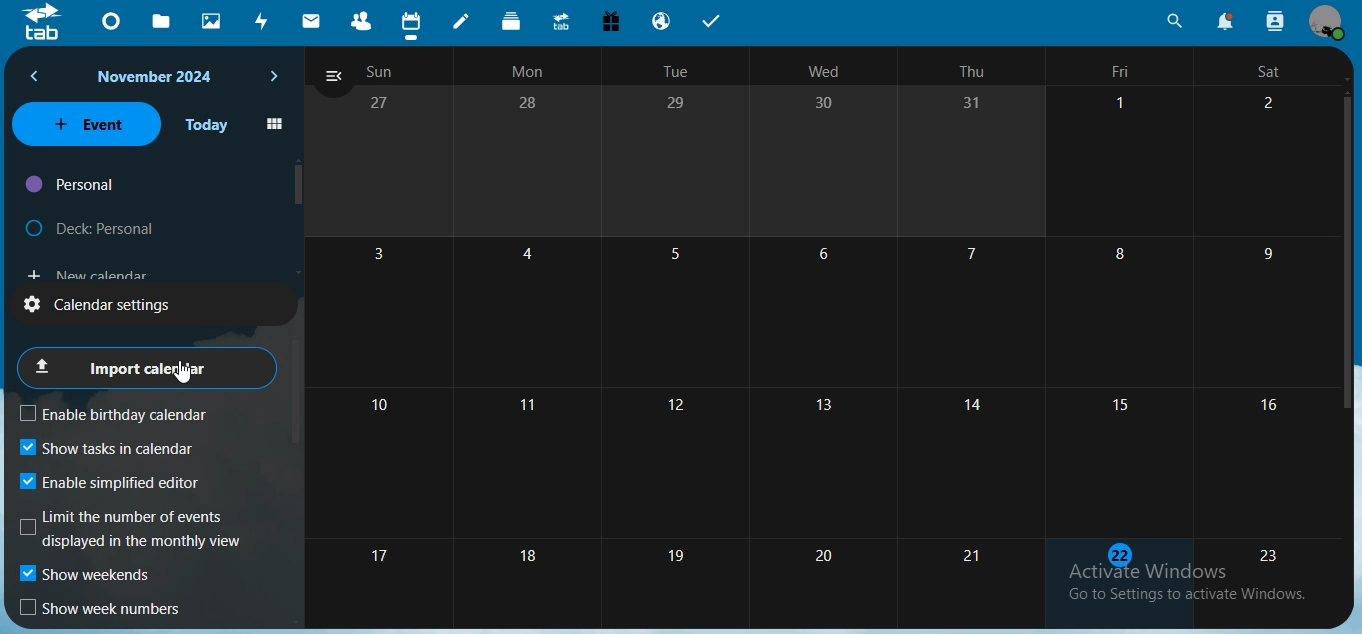 This screenshot has width=1362, height=634. What do you see at coordinates (1222, 21) in the screenshot?
I see `notifications` at bounding box center [1222, 21].